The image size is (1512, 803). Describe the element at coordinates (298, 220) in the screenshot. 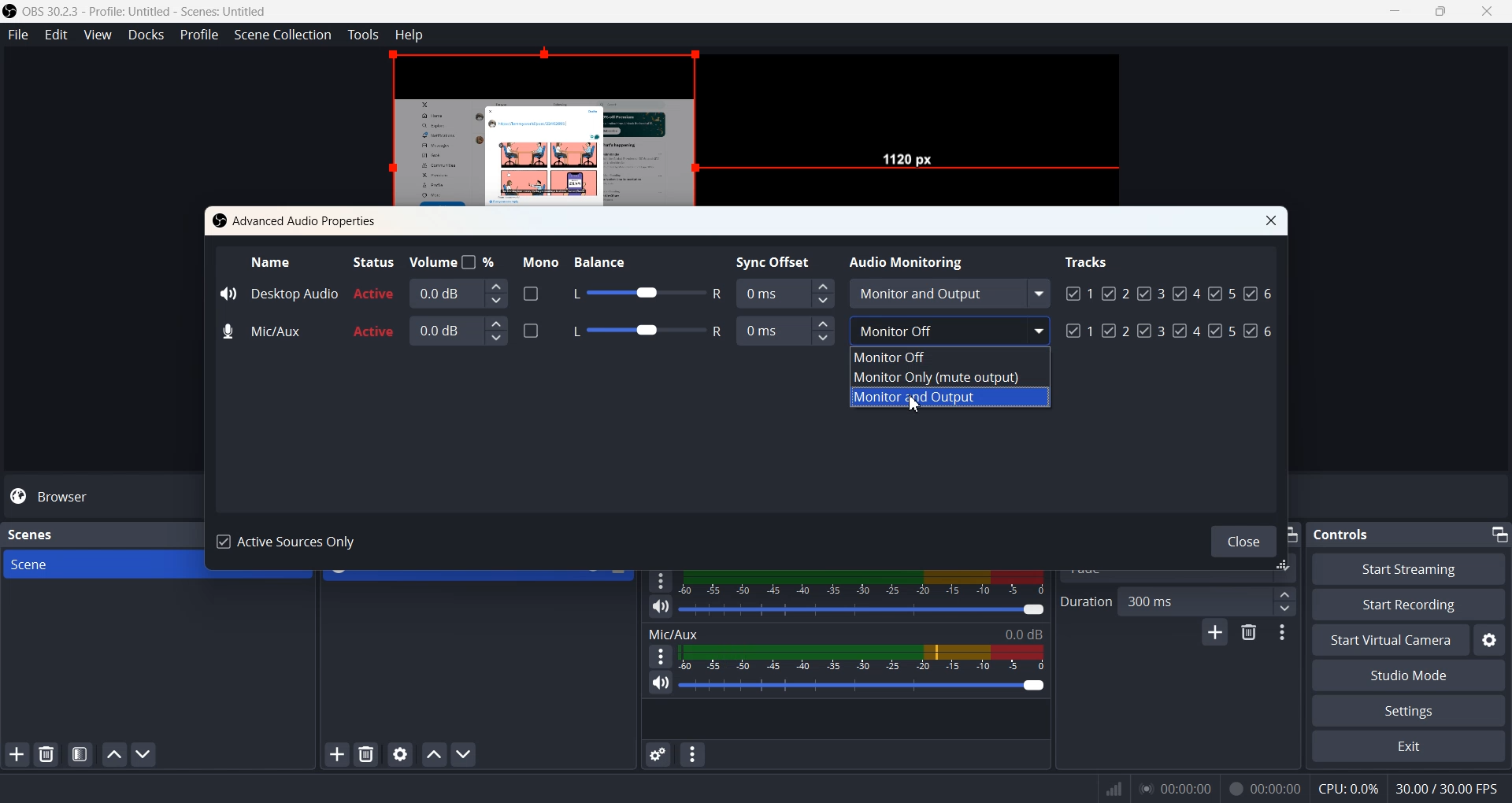

I see `Advanced Audio Properties` at that location.